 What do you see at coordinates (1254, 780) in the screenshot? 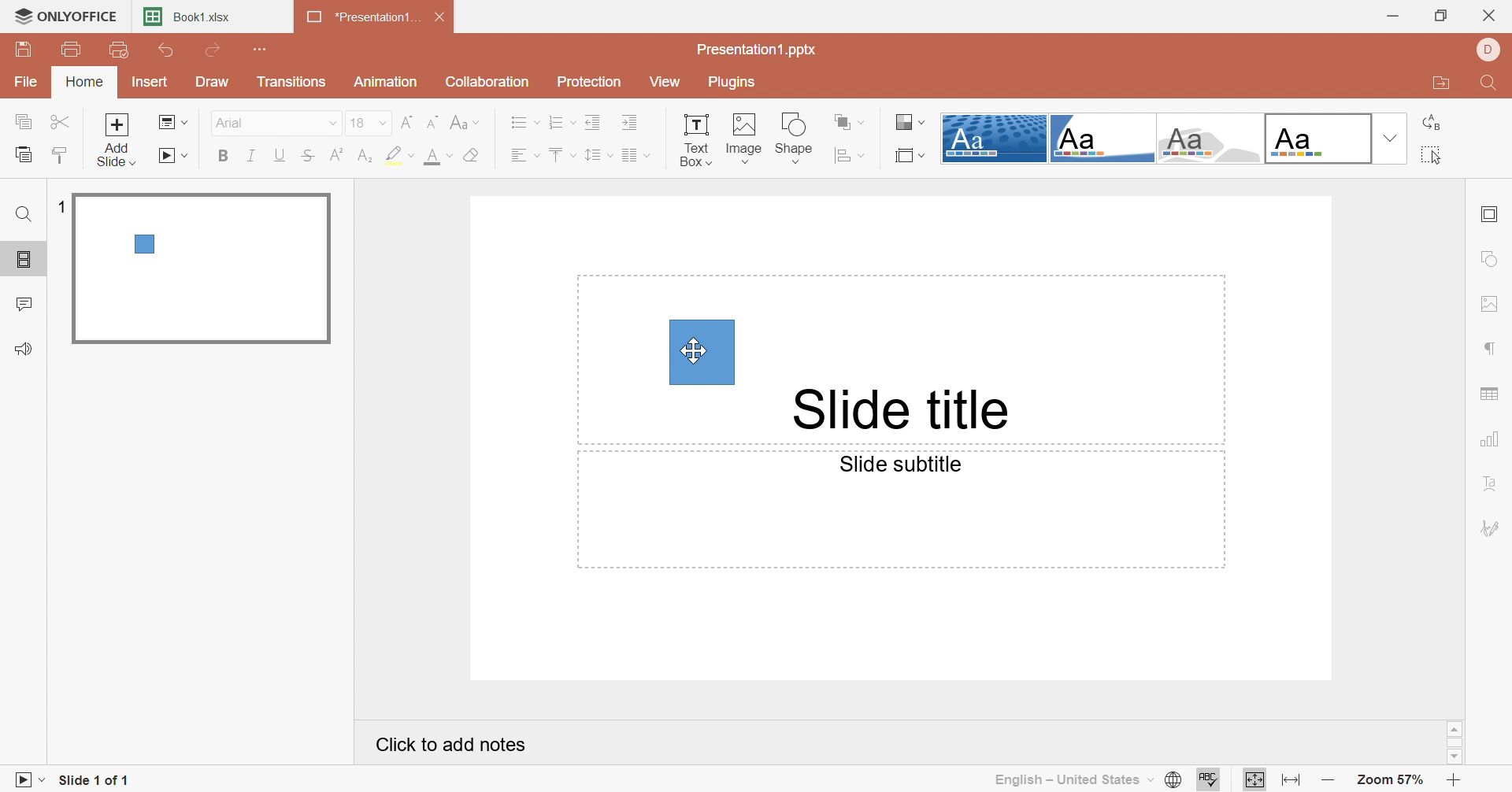
I see `Fit to slide` at bounding box center [1254, 780].